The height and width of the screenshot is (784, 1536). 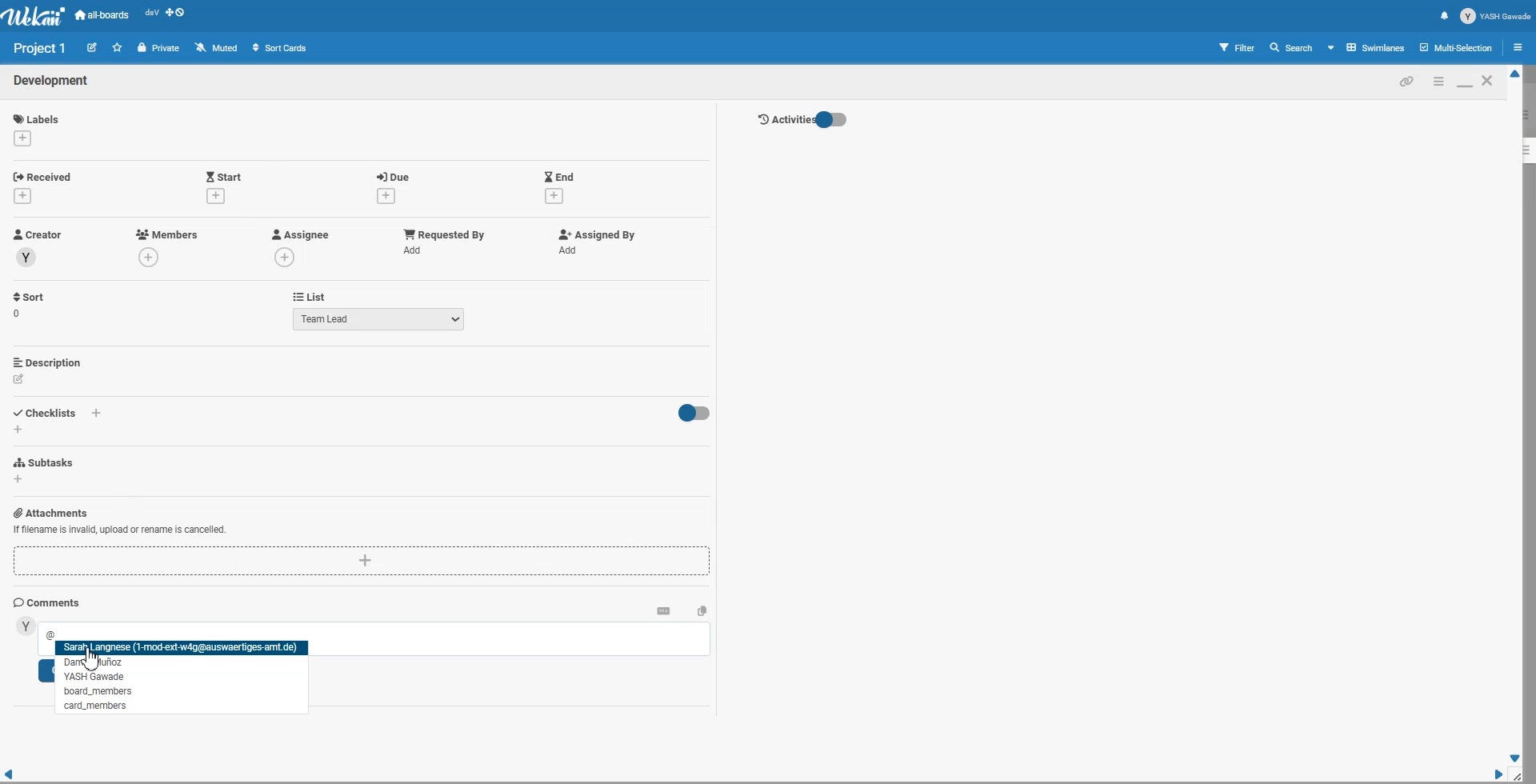 What do you see at coordinates (38, 116) in the screenshot?
I see `Add Labels` at bounding box center [38, 116].